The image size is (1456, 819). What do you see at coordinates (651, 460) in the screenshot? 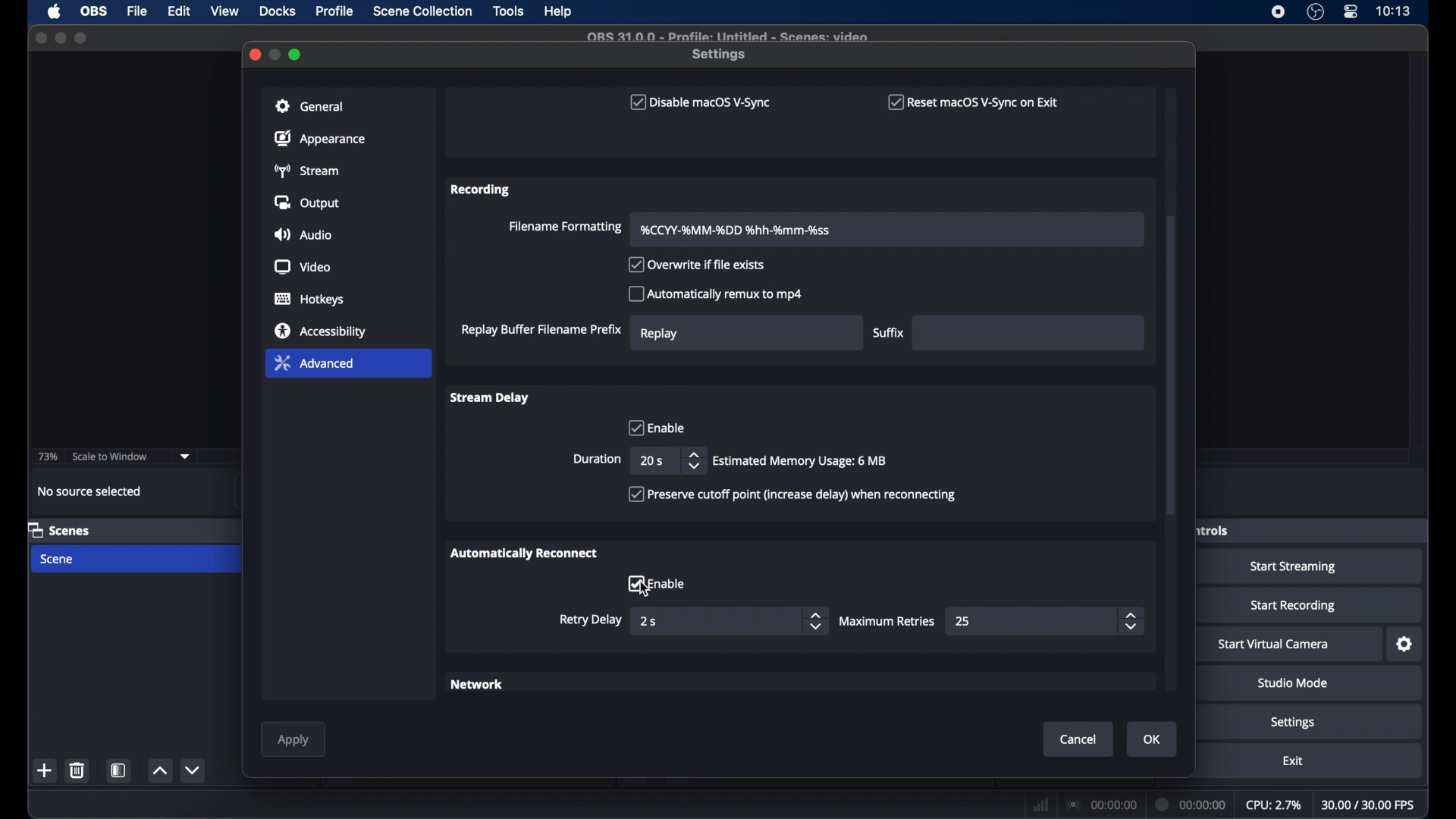
I see `20 s` at bounding box center [651, 460].